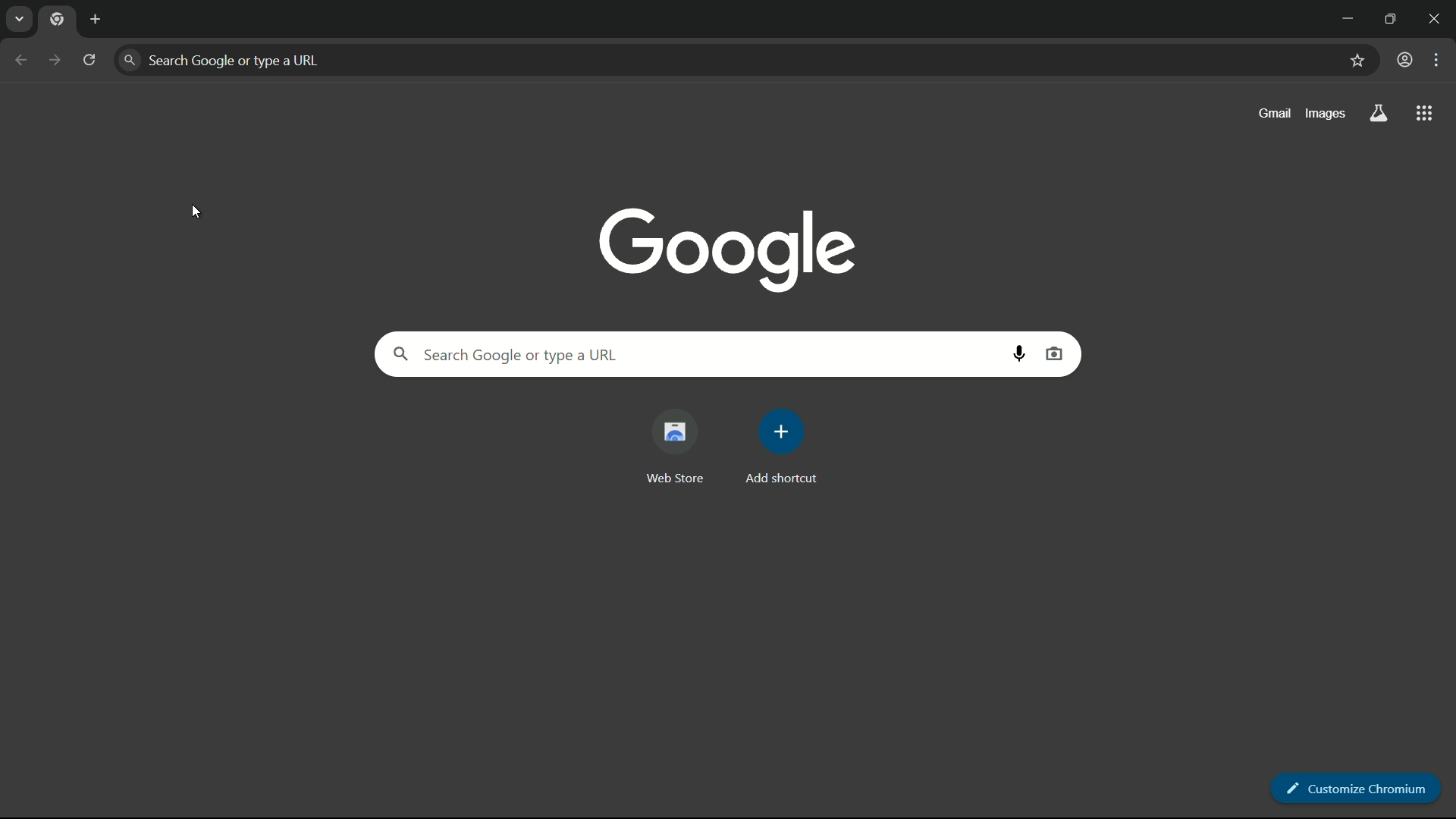 The width and height of the screenshot is (1456, 819). I want to click on images, so click(1323, 114).